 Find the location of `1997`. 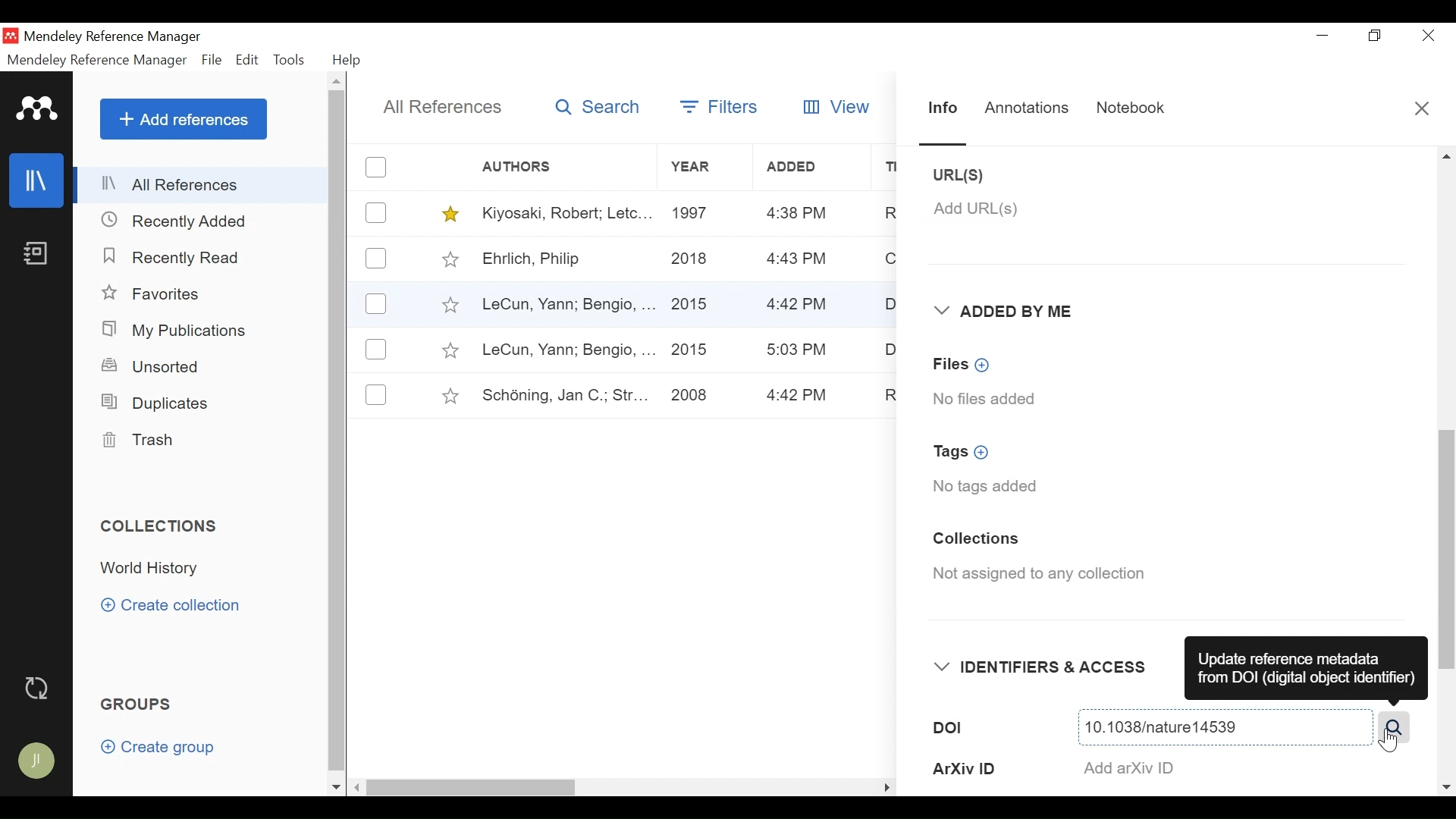

1997 is located at coordinates (694, 212).